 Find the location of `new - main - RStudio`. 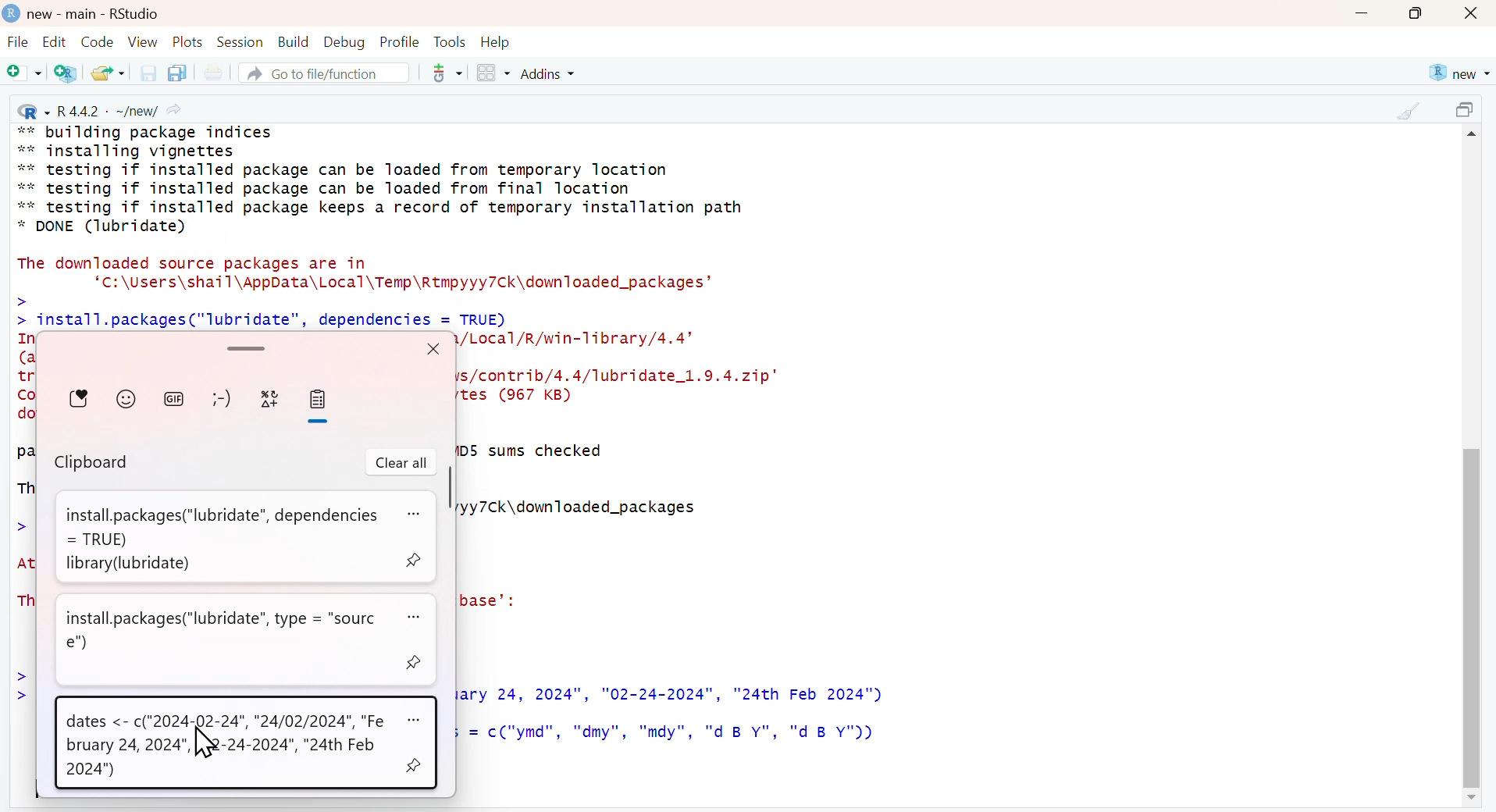

new - main - RStudio is located at coordinates (95, 14).